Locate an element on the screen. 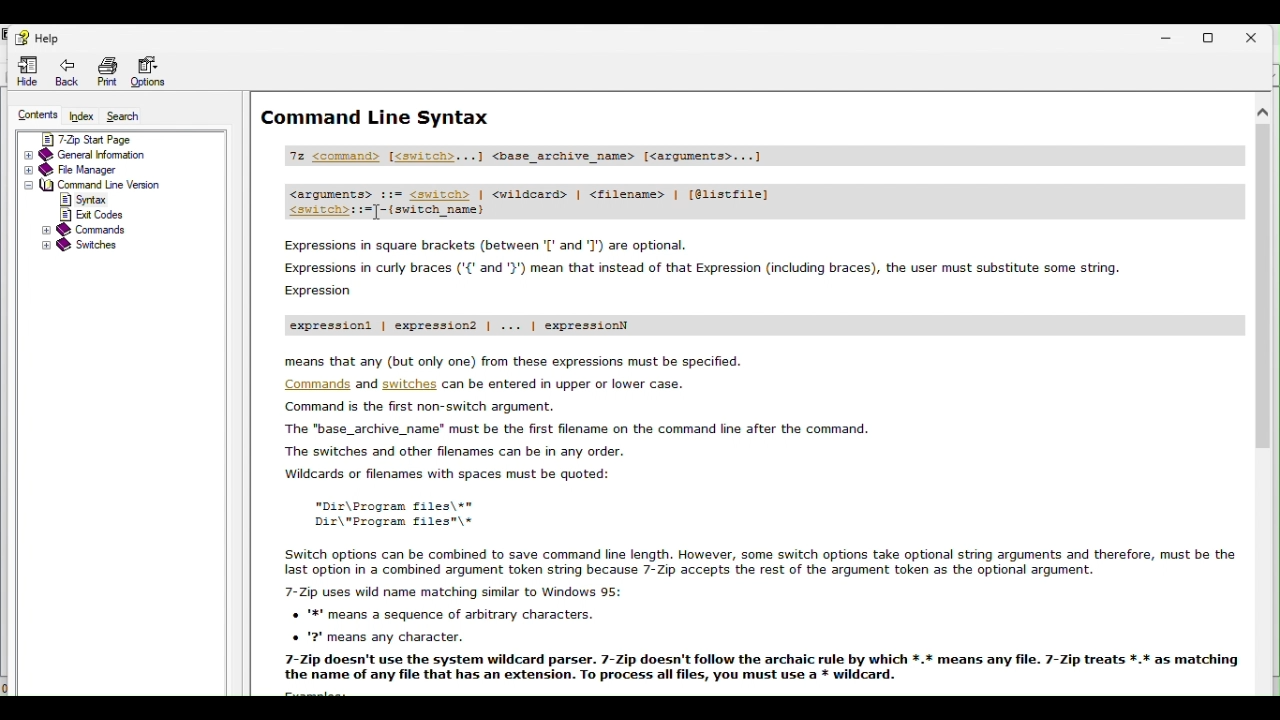 Image resolution: width=1280 pixels, height=720 pixels. switches is located at coordinates (85, 245).